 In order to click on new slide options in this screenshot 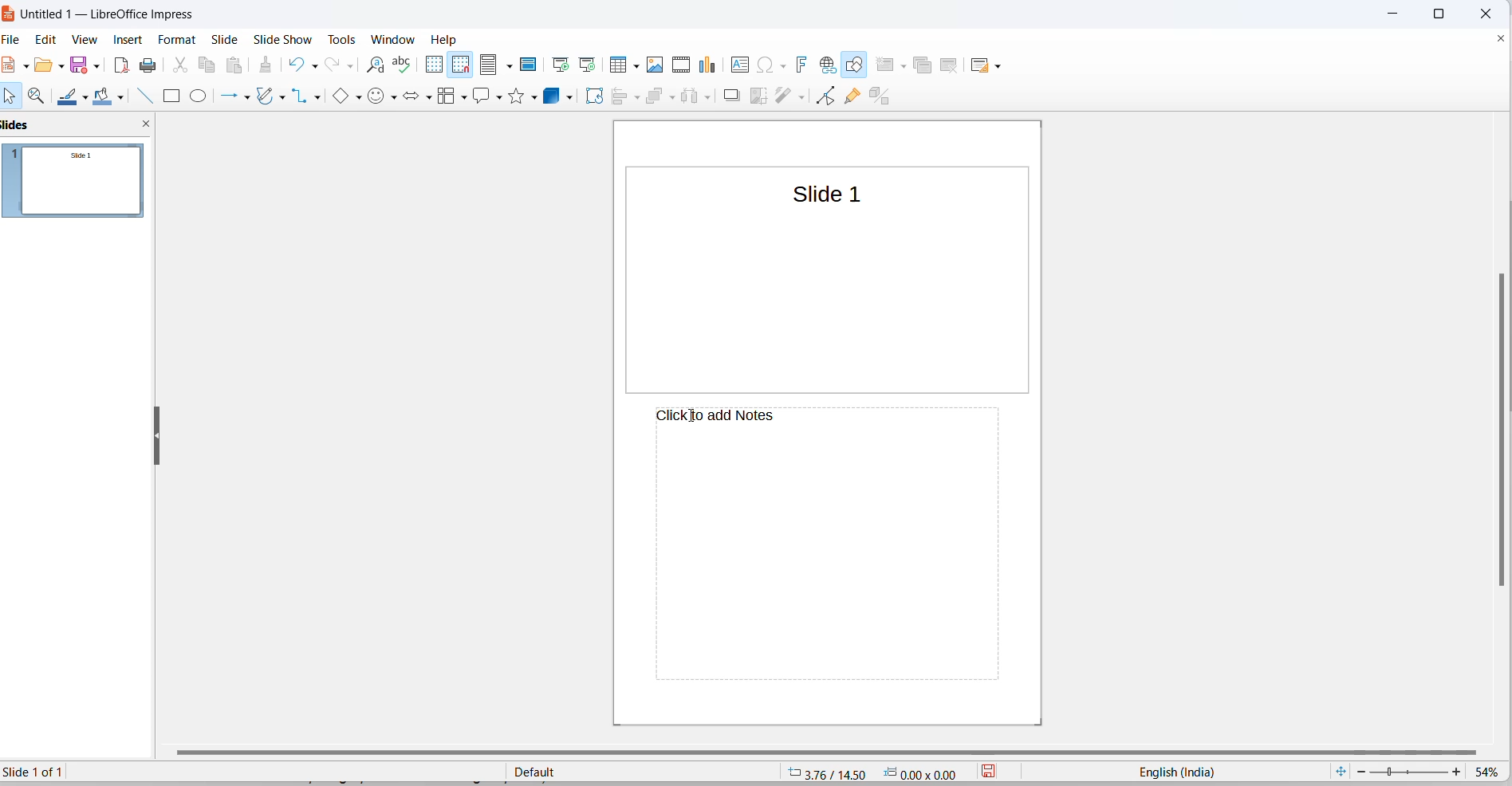, I will do `click(902, 65)`.